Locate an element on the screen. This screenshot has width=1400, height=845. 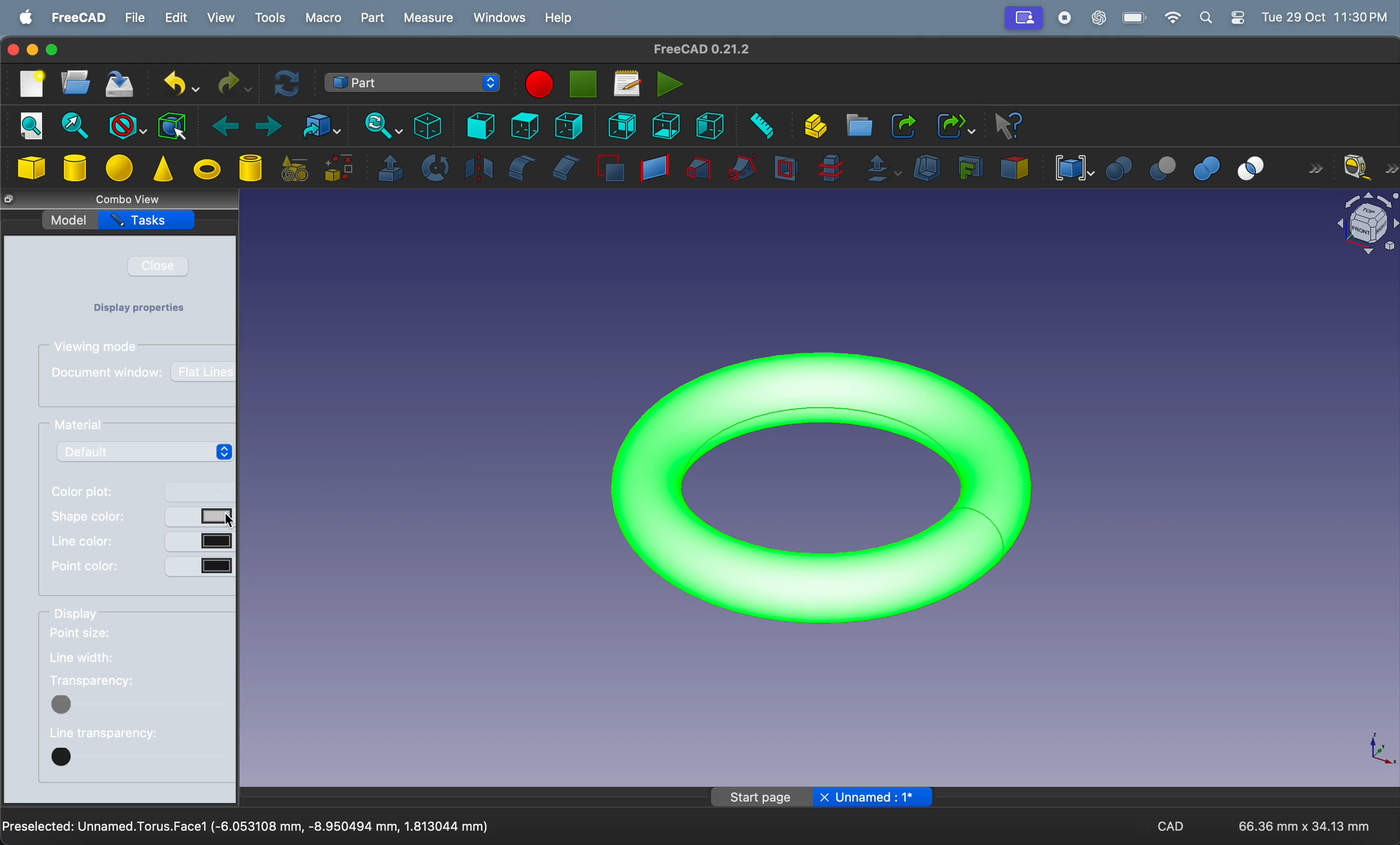
measure is located at coordinates (429, 19).